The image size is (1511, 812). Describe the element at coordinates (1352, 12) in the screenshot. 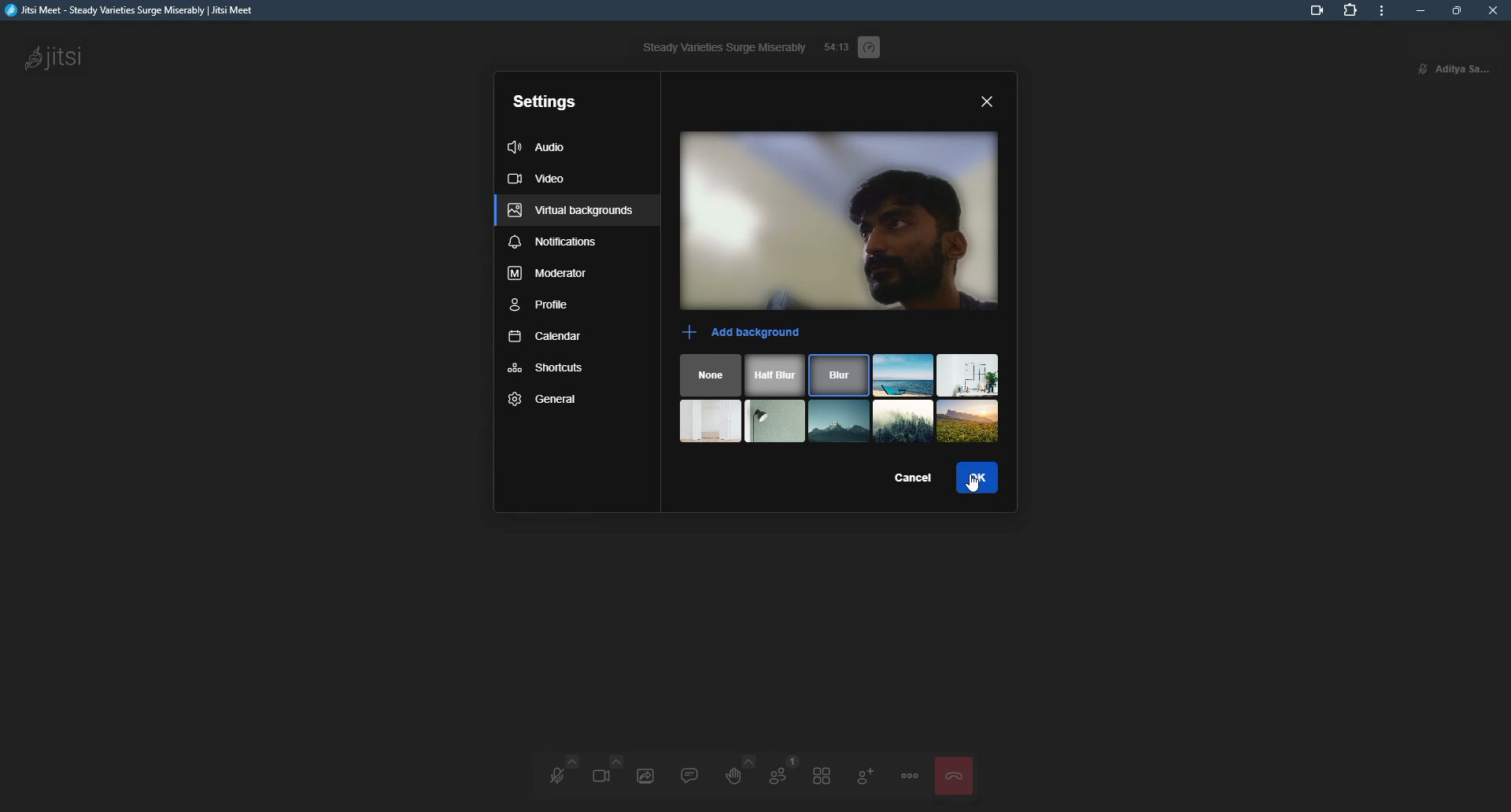

I see `extensions` at that location.